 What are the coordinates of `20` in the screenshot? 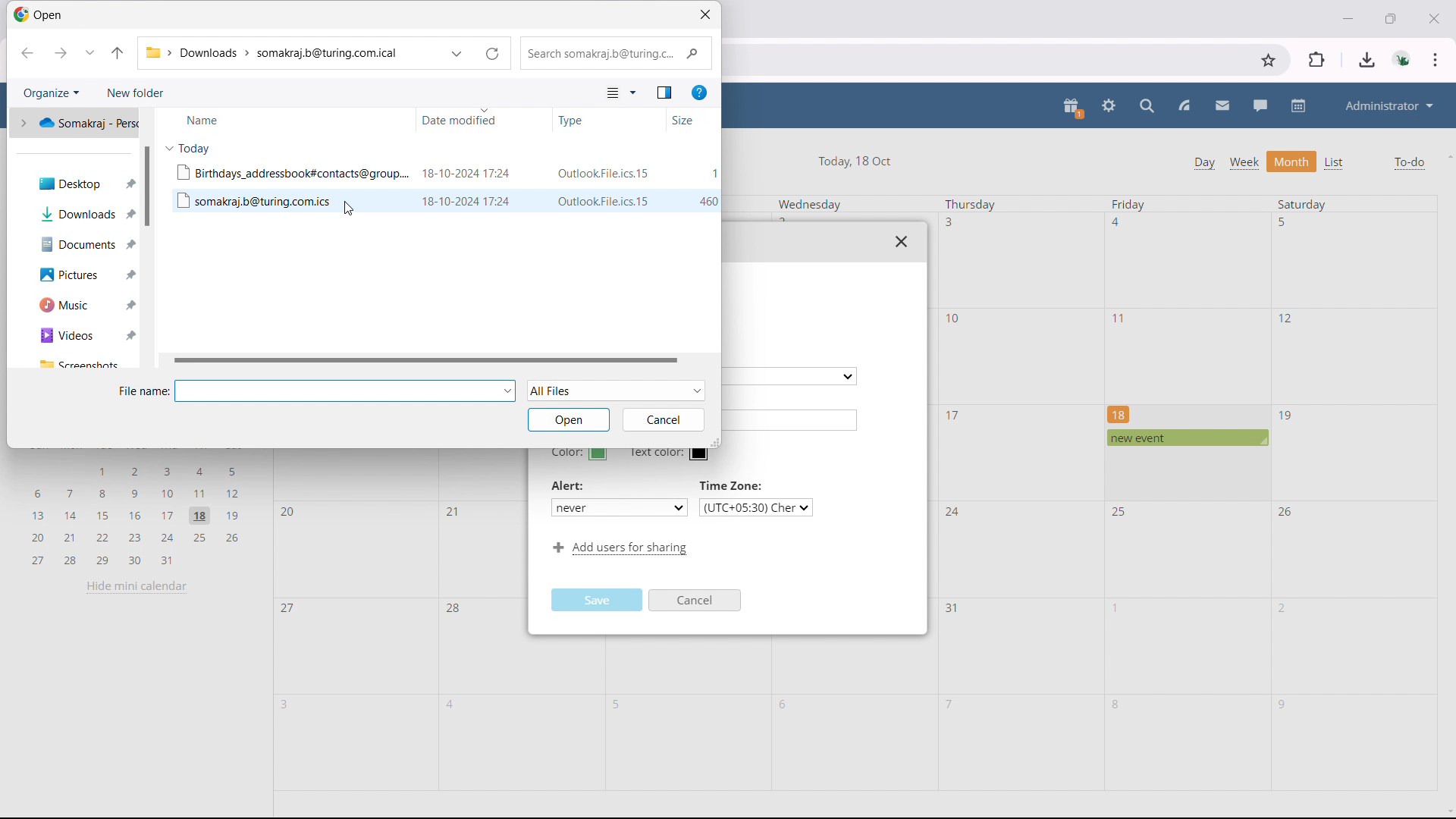 It's located at (290, 513).